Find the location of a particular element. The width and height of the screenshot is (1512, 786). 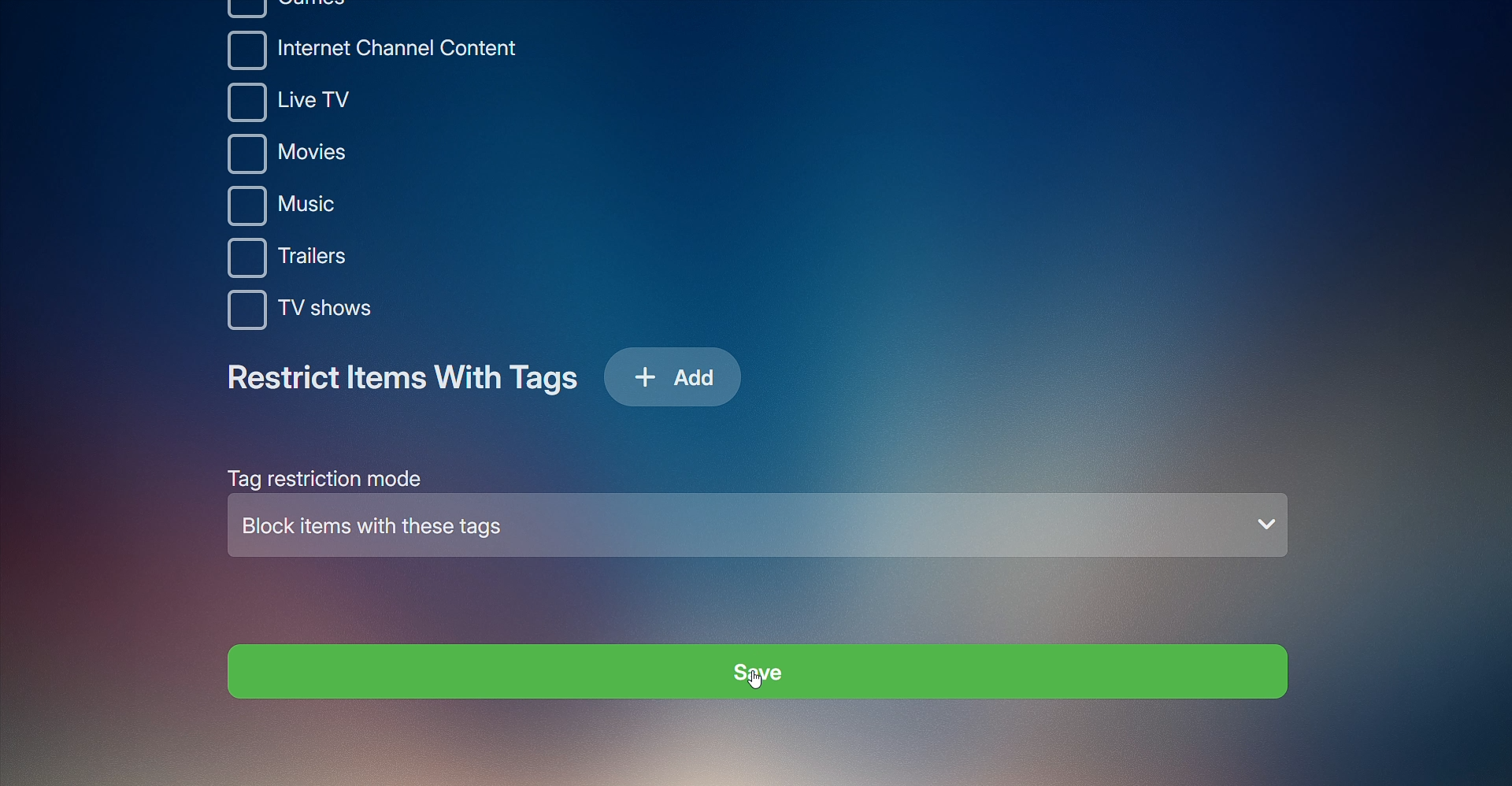

Restrict Items With Tags is located at coordinates (405, 384).